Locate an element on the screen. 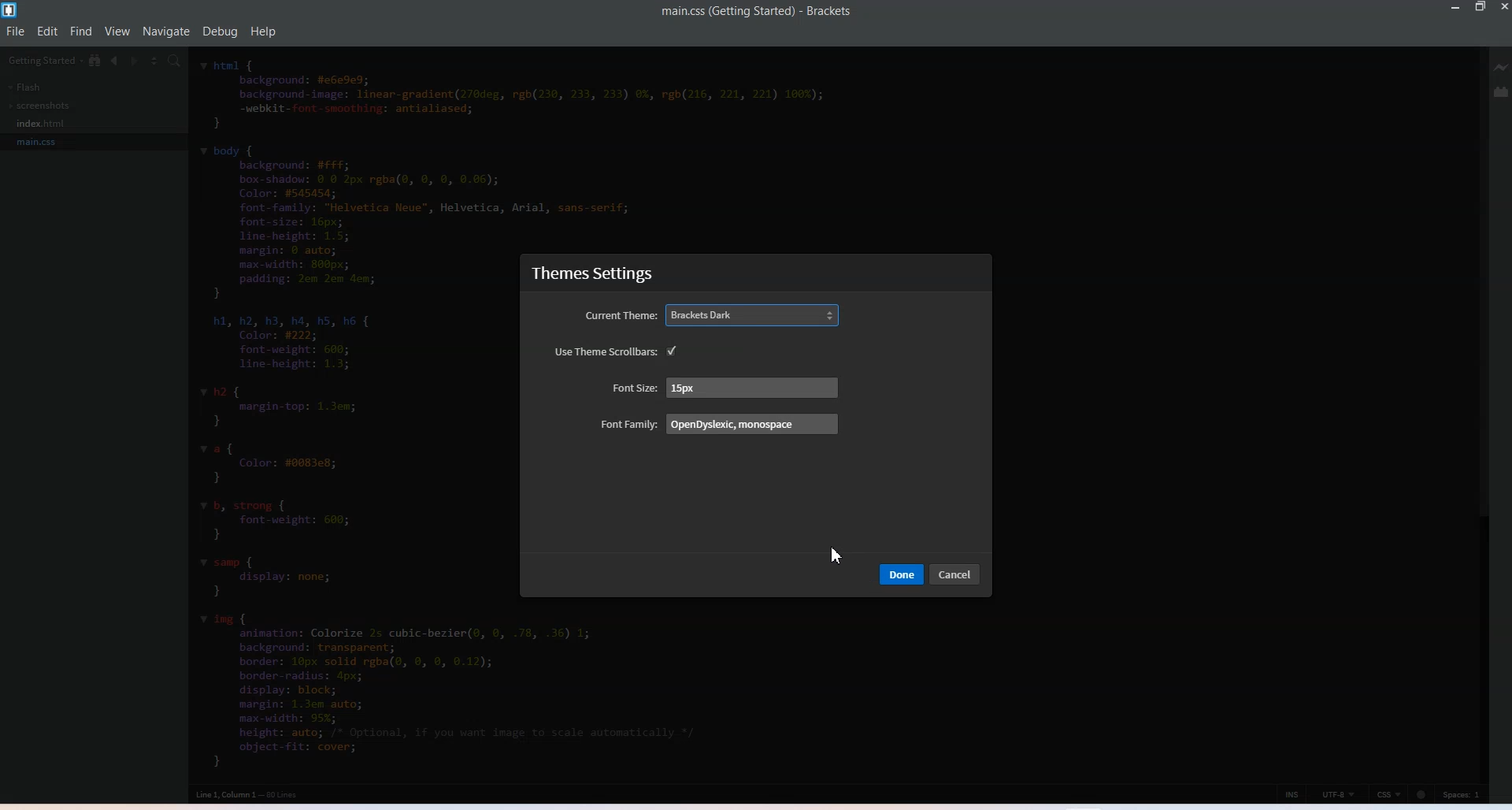 The width and height of the screenshot is (1512, 810). Font Family is located at coordinates (719, 424).